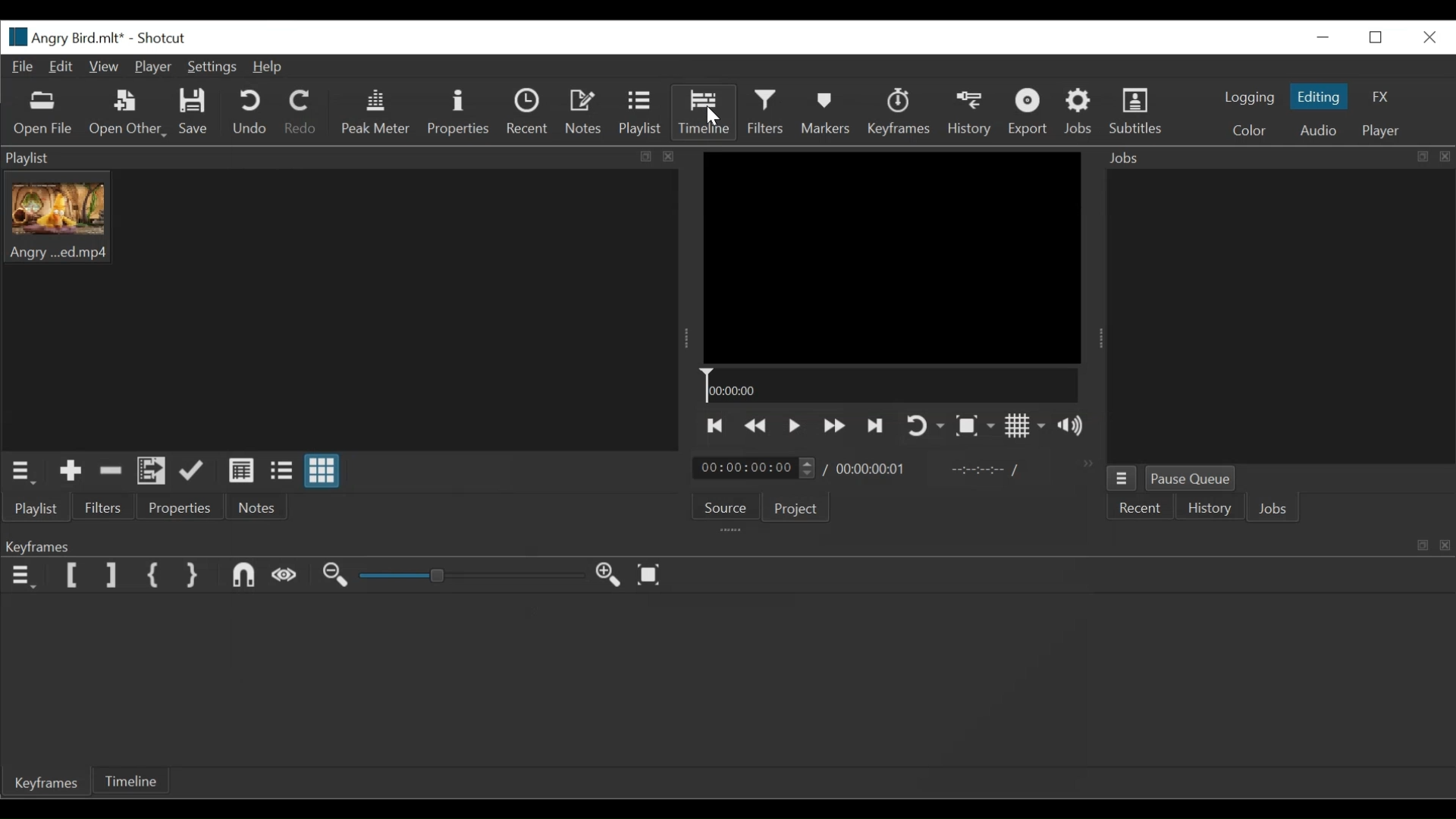 The width and height of the screenshot is (1456, 819). Describe the element at coordinates (977, 428) in the screenshot. I see `Toggle zoom` at that location.